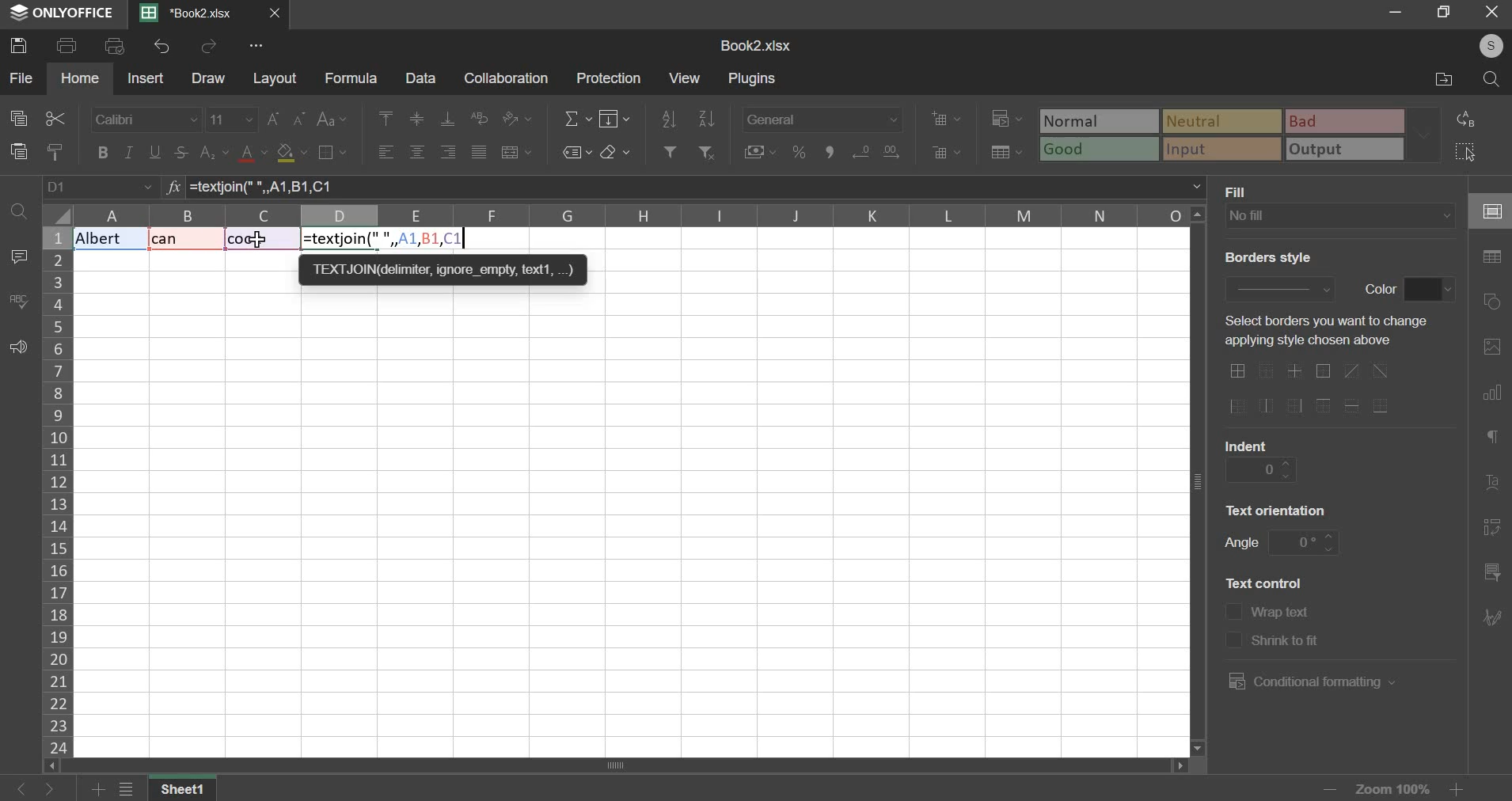 The width and height of the screenshot is (1512, 801). What do you see at coordinates (861, 150) in the screenshot?
I see `increase decimals` at bounding box center [861, 150].